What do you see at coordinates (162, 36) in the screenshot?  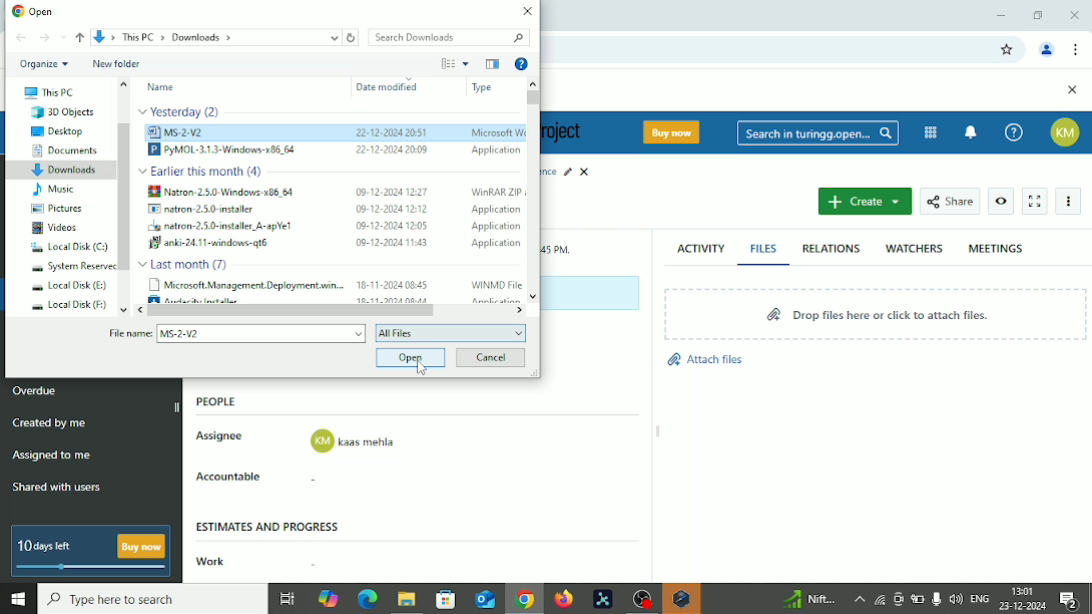 I see `path: downloads» Ths PC » Downloads »` at bounding box center [162, 36].